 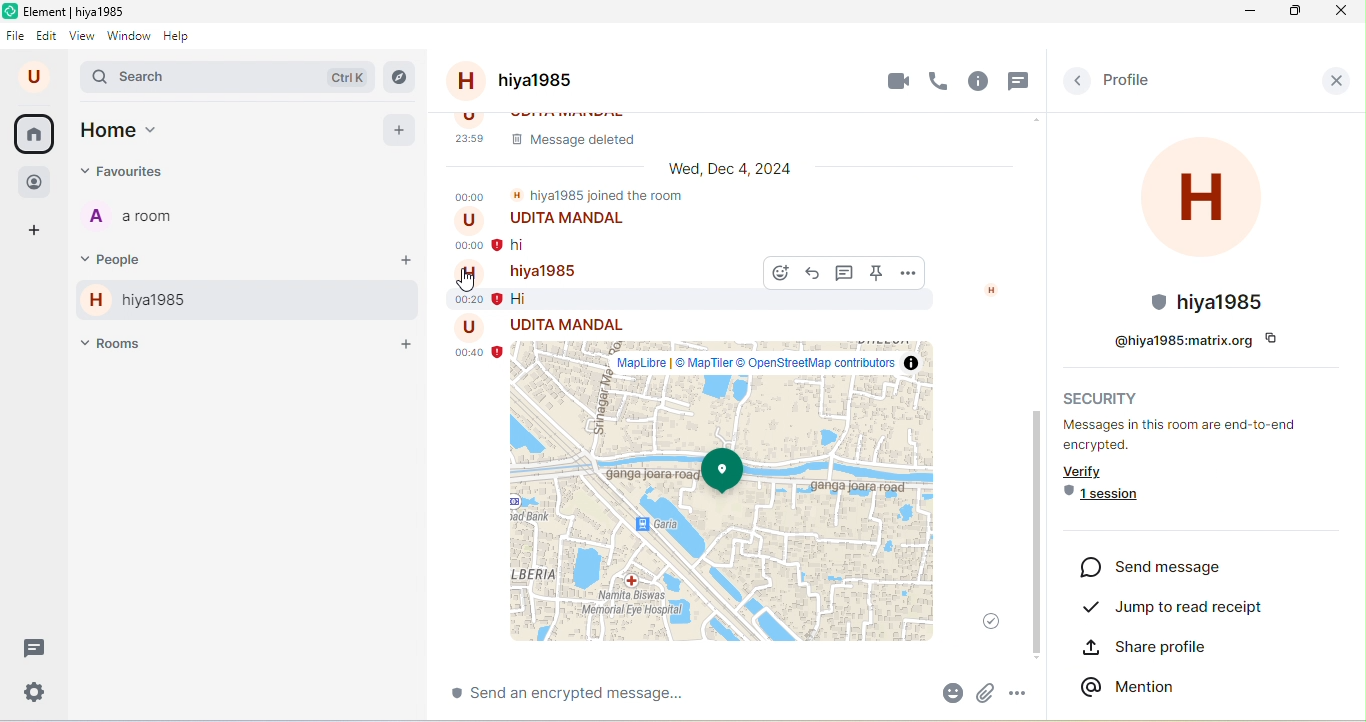 I want to click on location sharing from UDITA MANDAL, so click(x=729, y=483).